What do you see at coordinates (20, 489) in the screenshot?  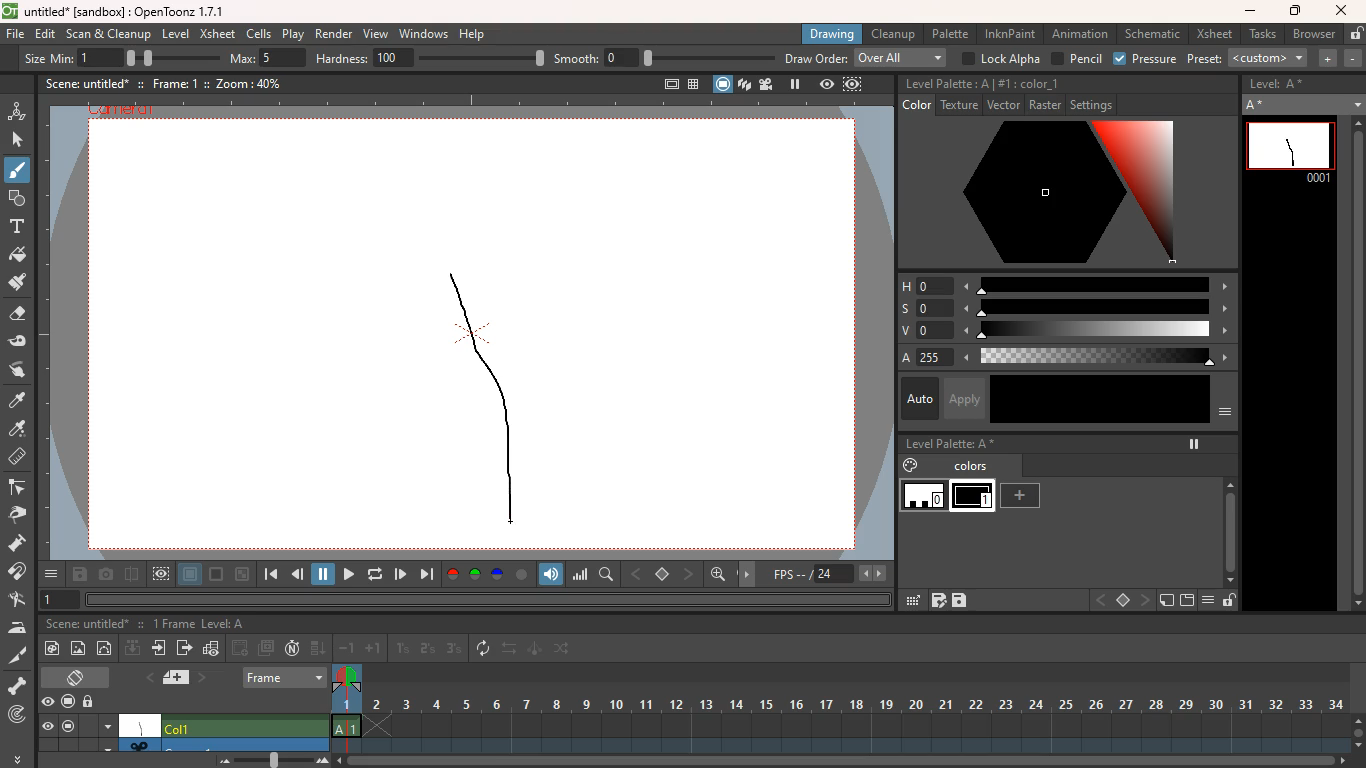 I see `edge` at bounding box center [20, 489].